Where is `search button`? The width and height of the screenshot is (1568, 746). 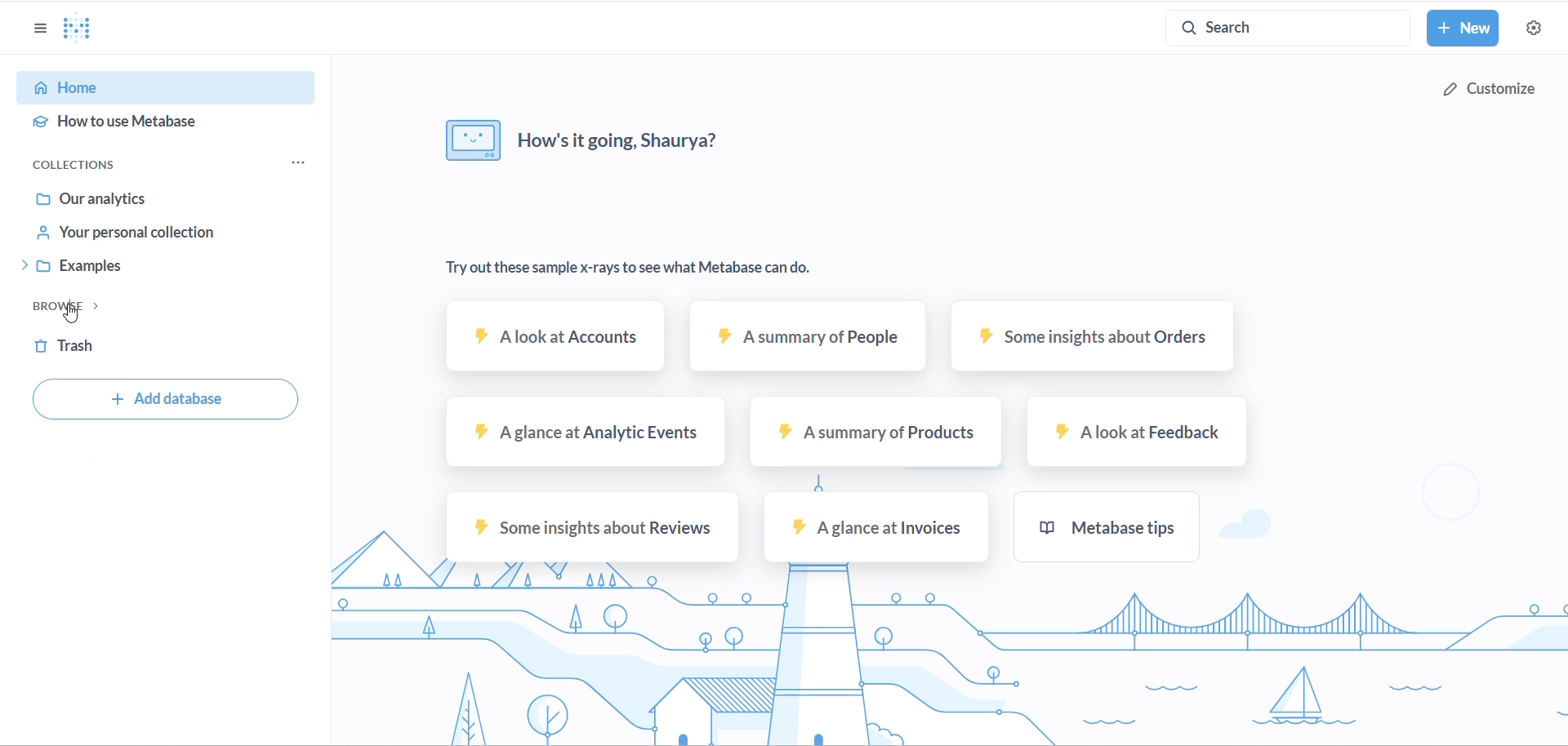 search button is located at coordinates (1285, 28).